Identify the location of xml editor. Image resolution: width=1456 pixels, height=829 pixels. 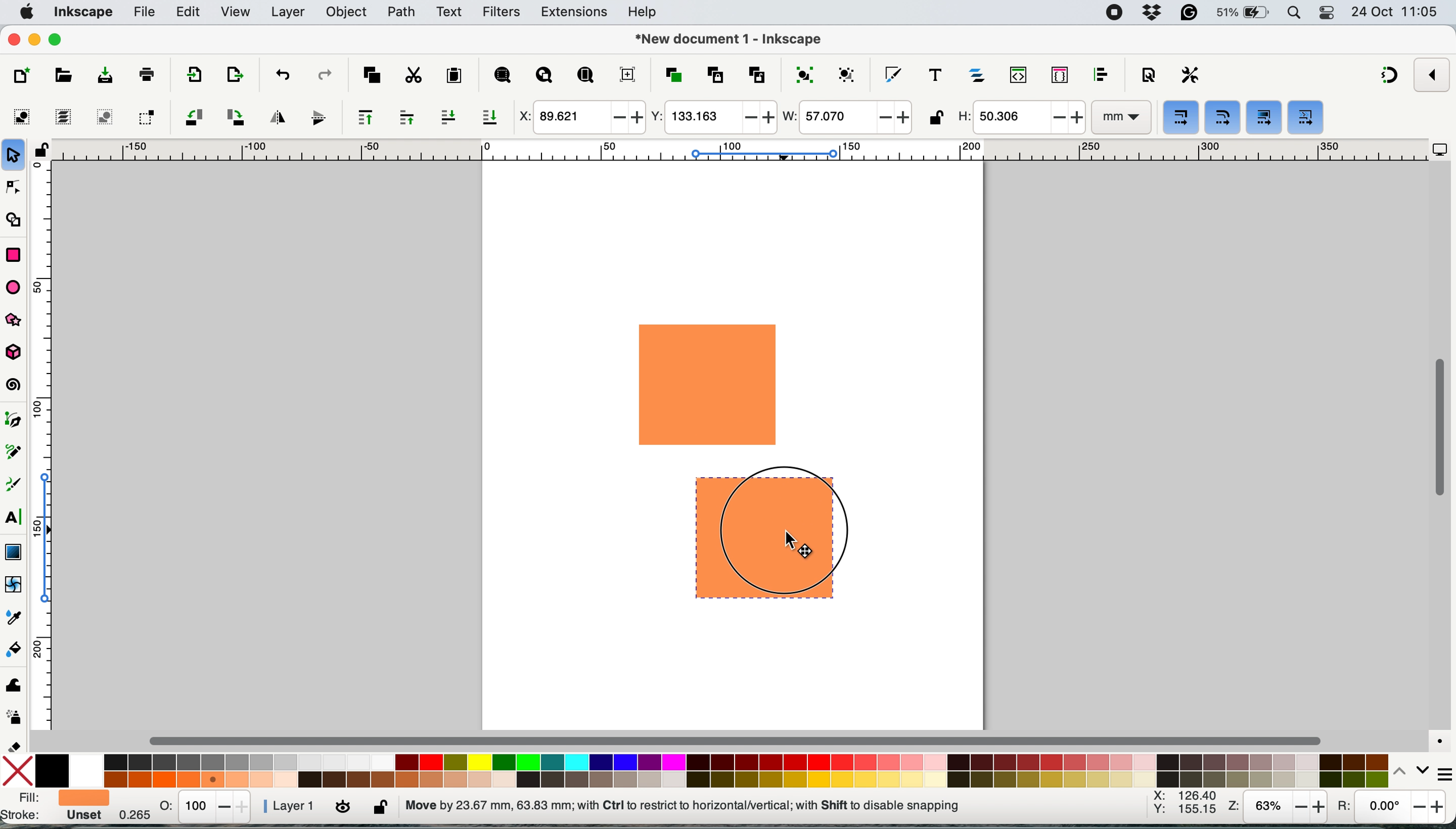
(1016, 75).